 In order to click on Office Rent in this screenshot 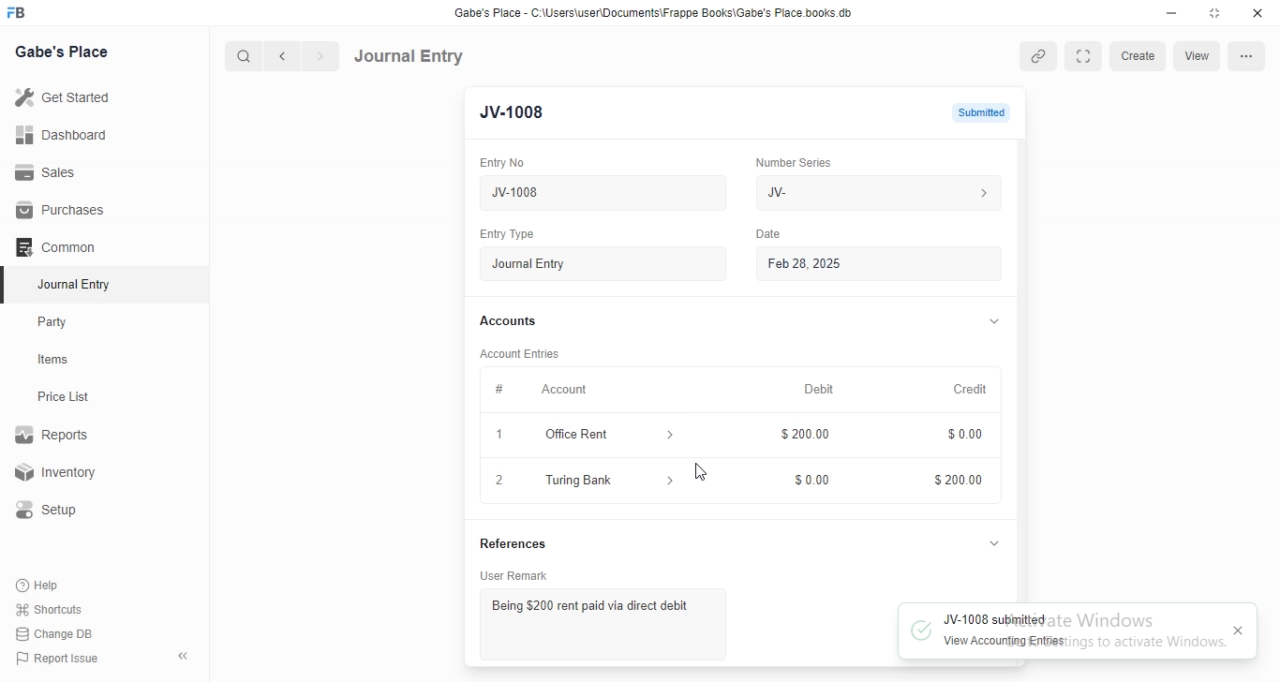, I will do `click(586, 434)`.